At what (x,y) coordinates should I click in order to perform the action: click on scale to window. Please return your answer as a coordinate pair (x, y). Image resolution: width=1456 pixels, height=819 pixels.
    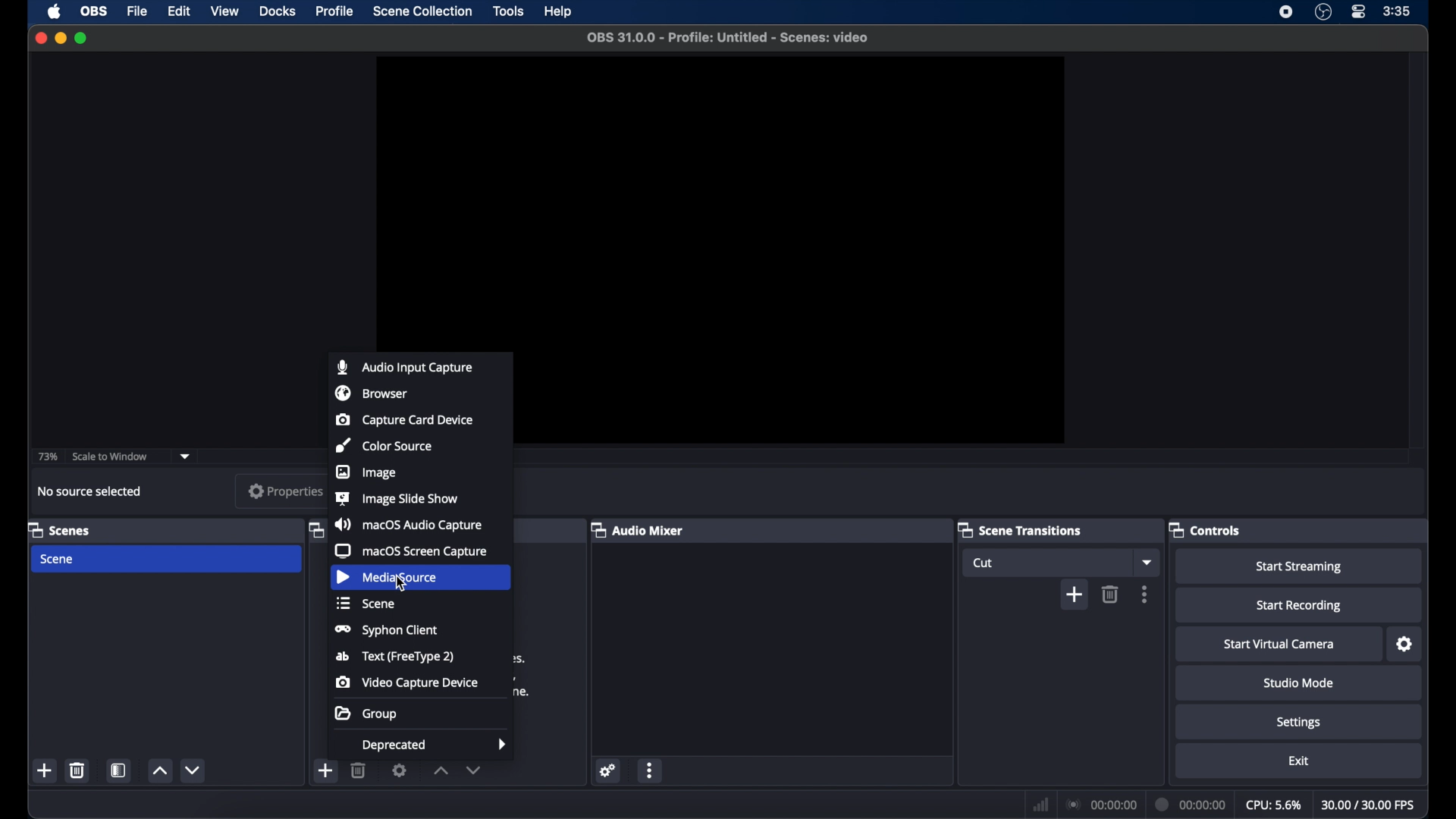
    Looking at the image, I should click on (110, 456).